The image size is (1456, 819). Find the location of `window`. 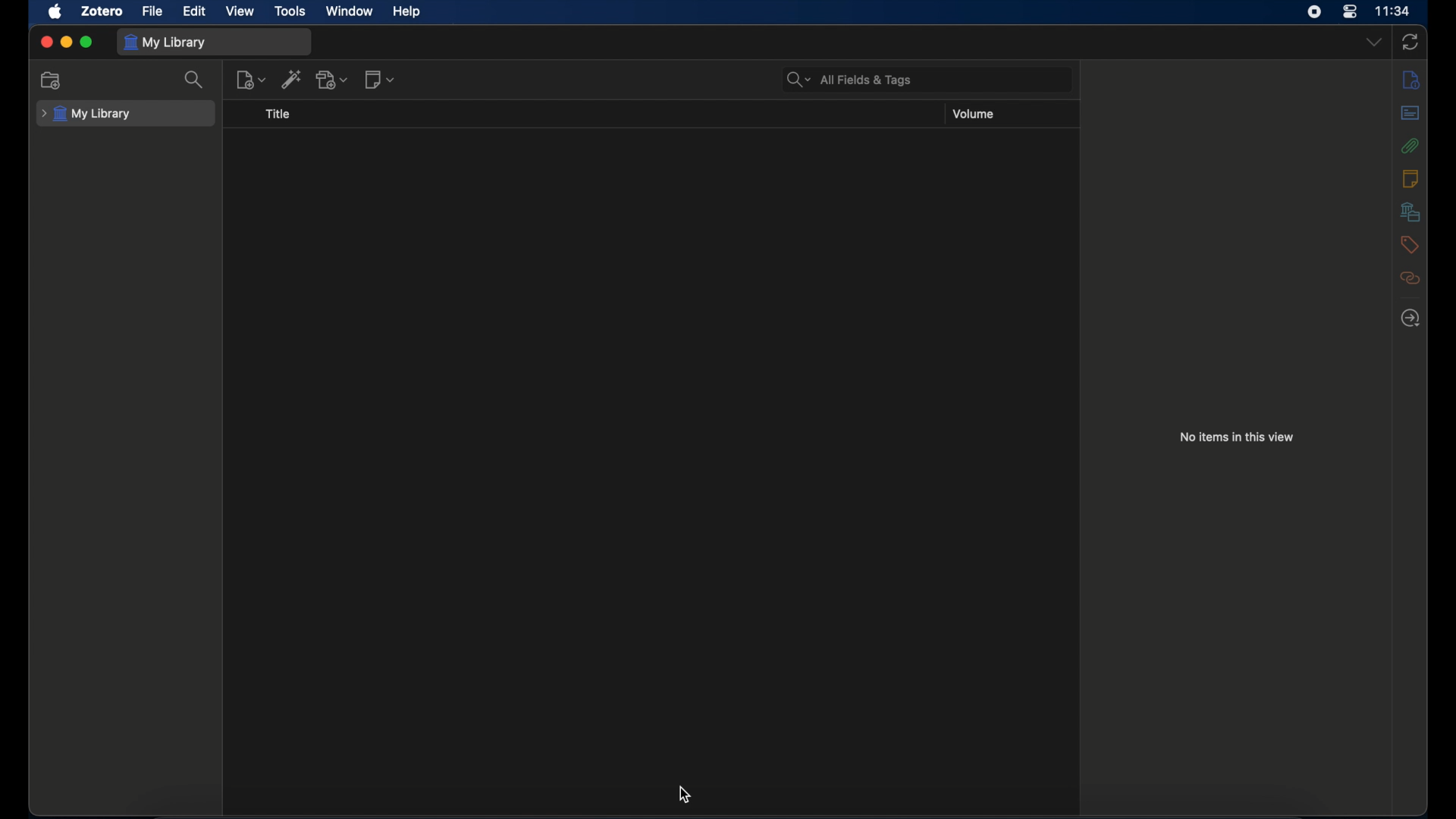

window is located at coordinates (350, 11).